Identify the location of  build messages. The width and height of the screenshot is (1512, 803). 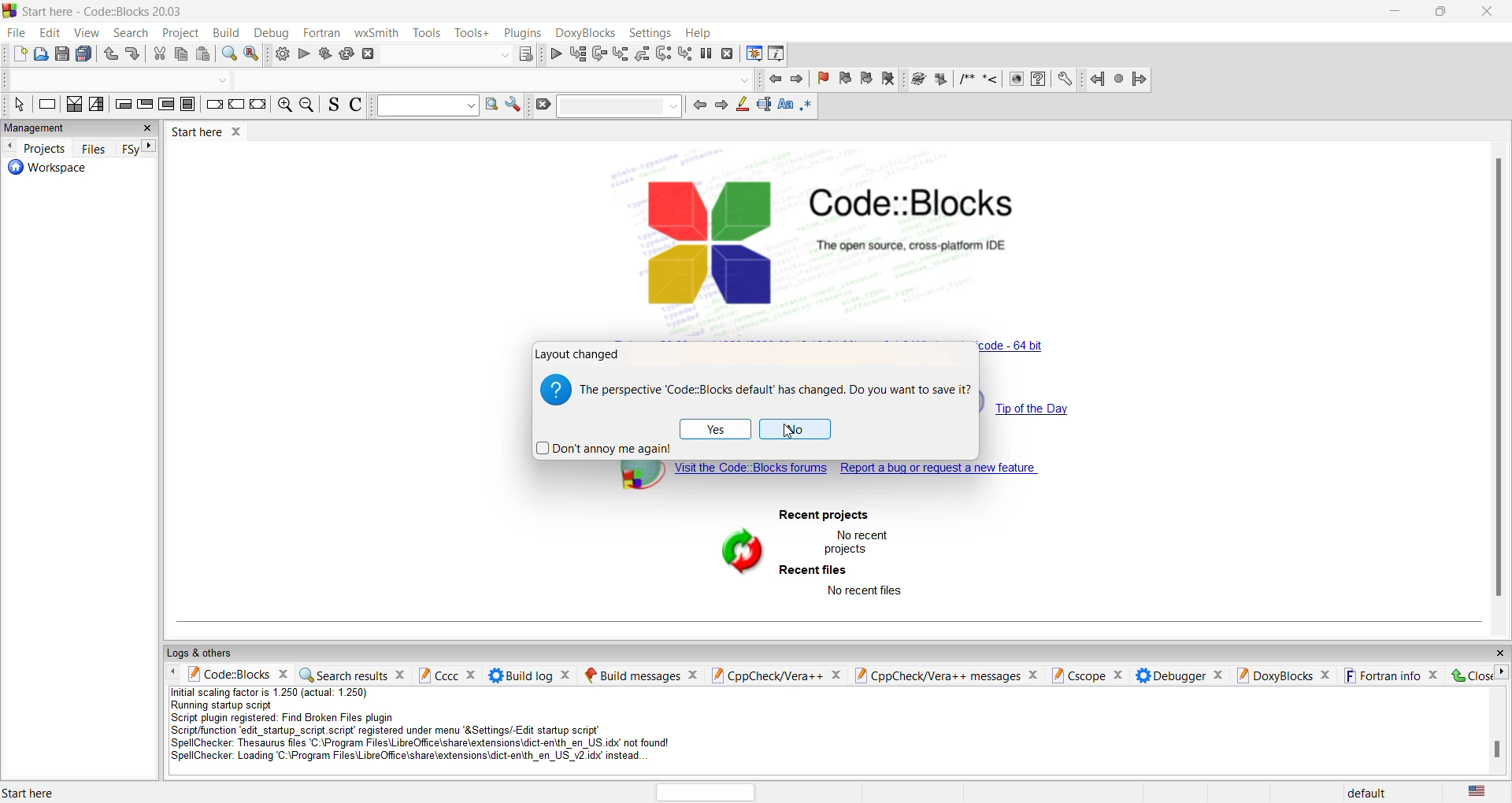
(640, 673).